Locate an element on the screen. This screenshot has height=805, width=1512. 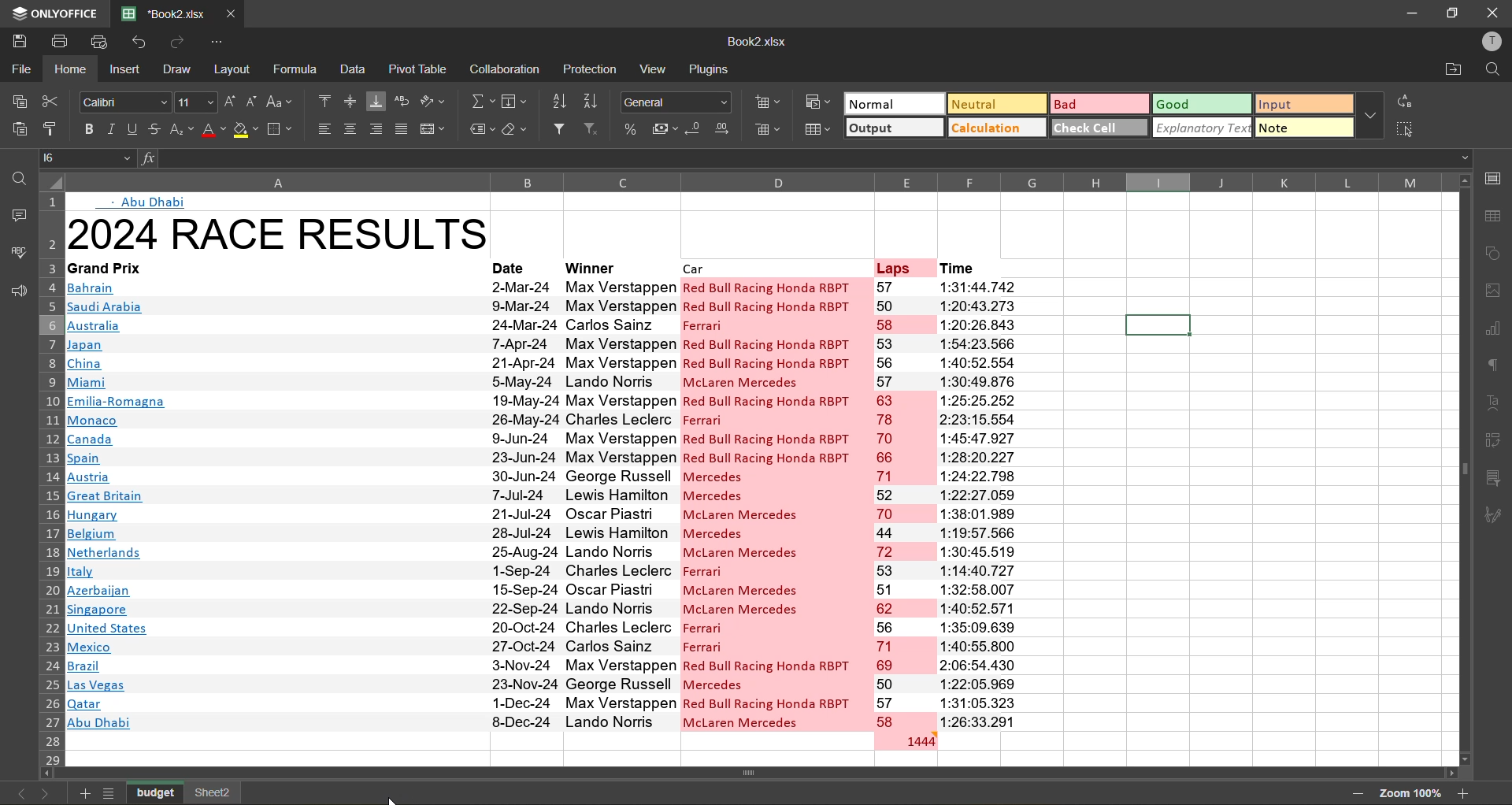
redo is located at coordinates (183, 42).